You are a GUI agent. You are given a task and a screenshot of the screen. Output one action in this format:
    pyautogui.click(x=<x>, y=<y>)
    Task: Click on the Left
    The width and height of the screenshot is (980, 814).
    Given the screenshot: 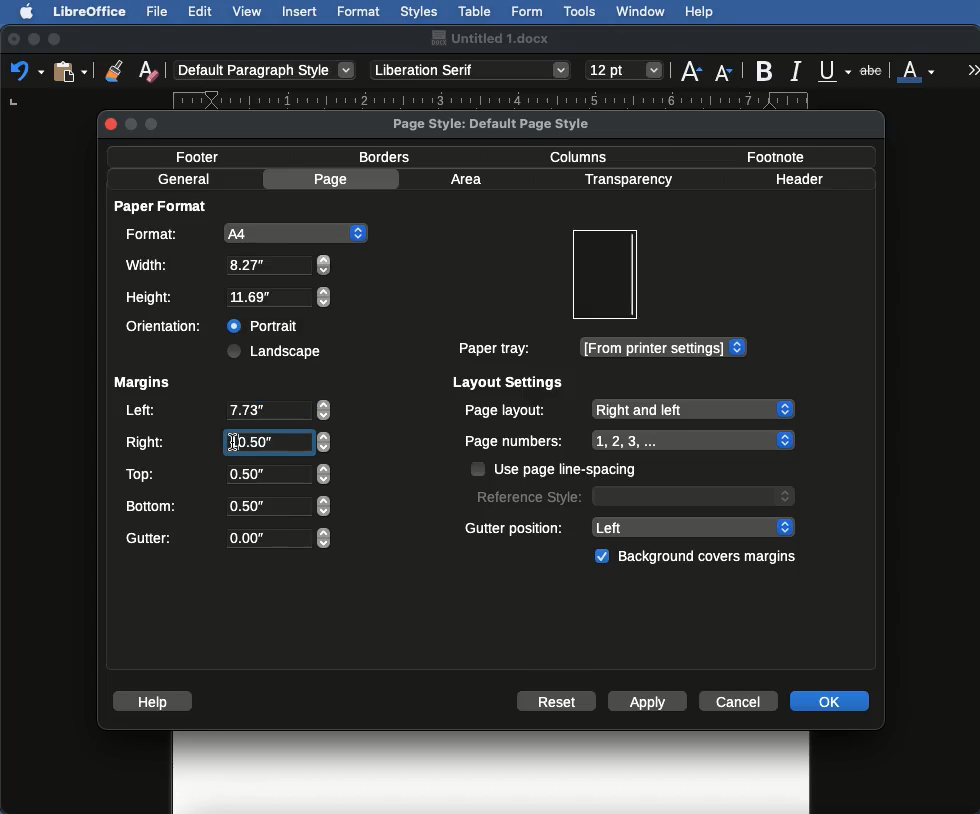 What is the action you would take?
    pyautogui.click(x=226, y=412)
    